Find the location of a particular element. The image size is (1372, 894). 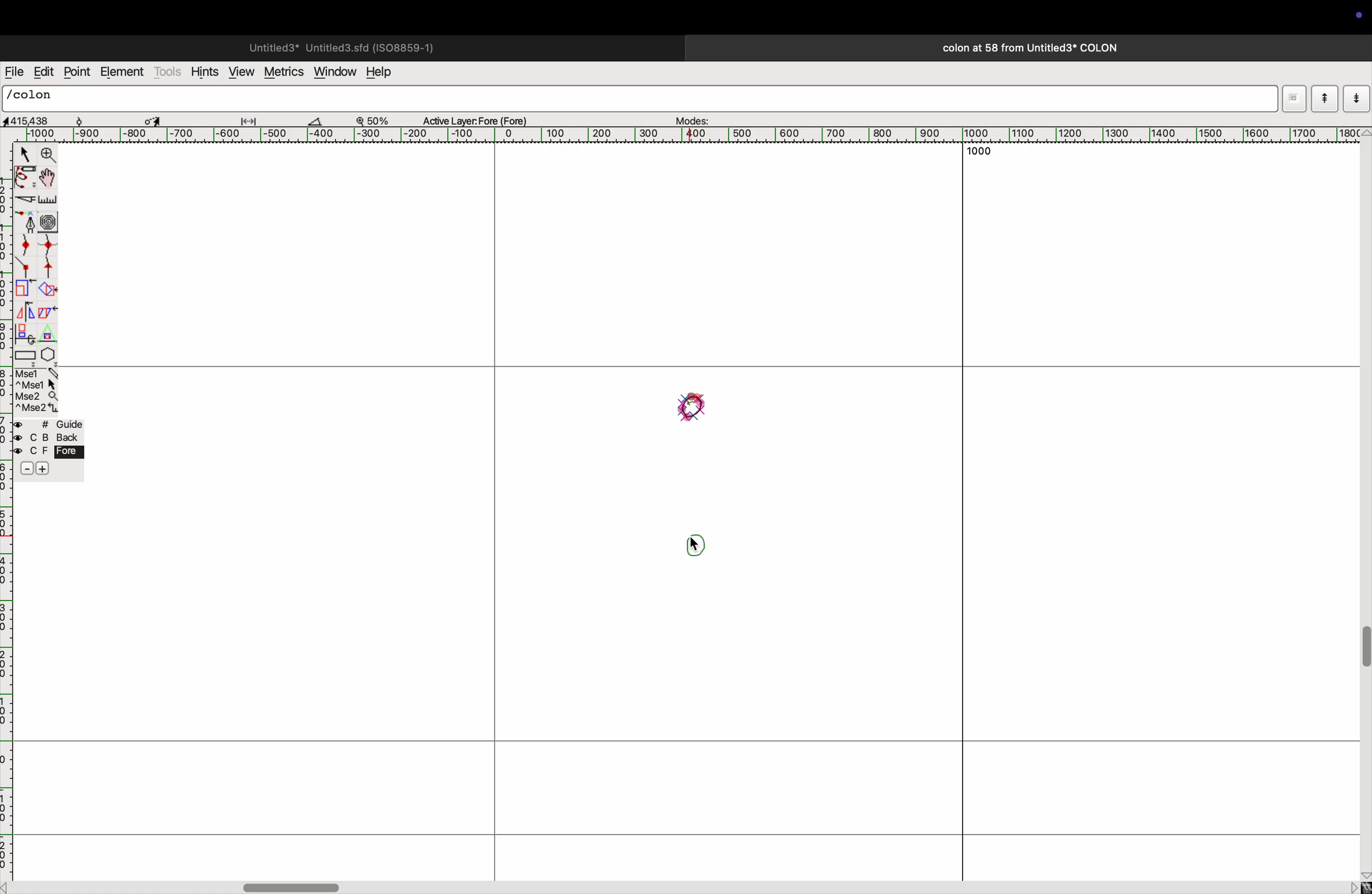

toogle is located at coordinates (1363, 654).